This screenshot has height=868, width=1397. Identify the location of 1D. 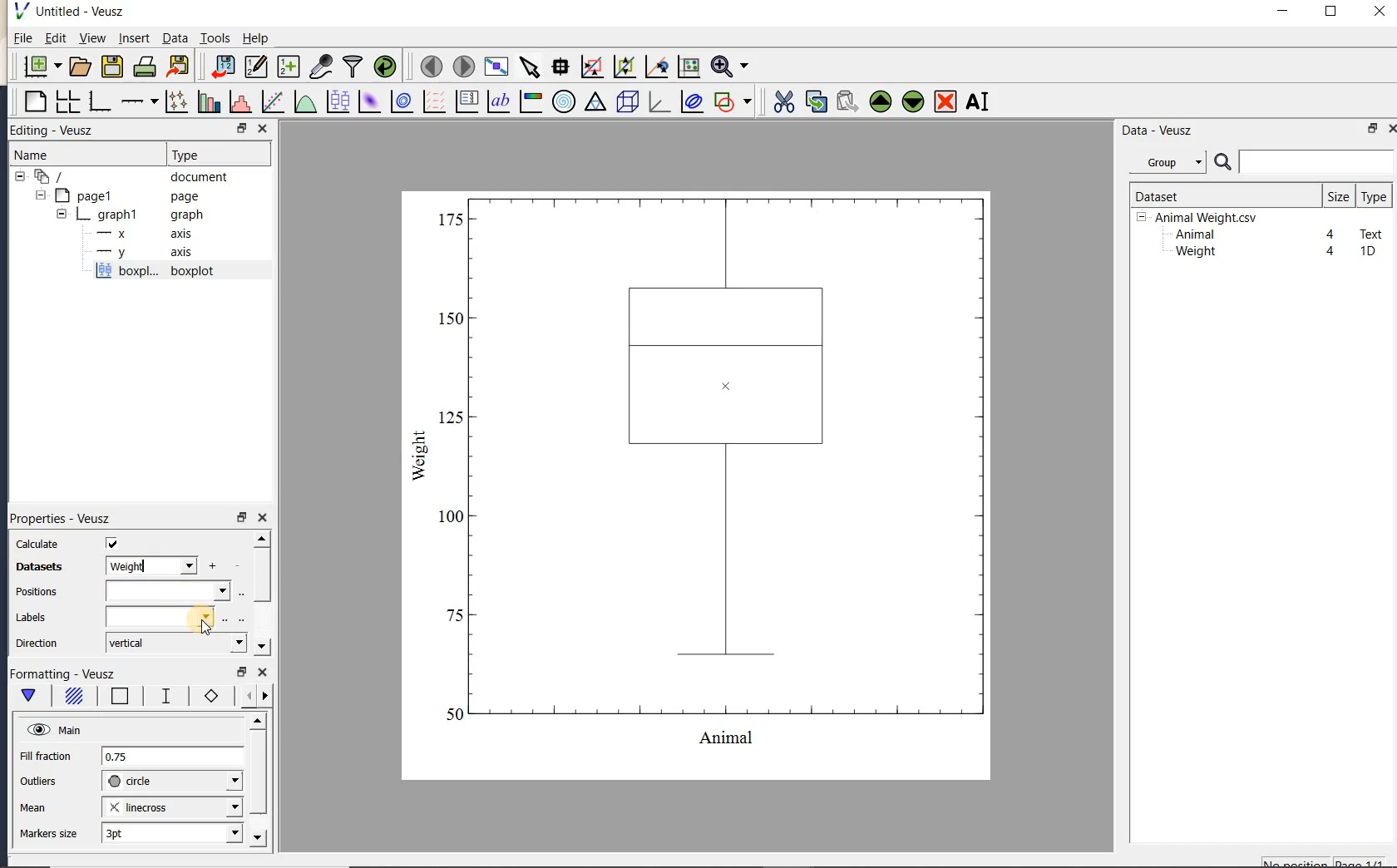
(1367, 251).